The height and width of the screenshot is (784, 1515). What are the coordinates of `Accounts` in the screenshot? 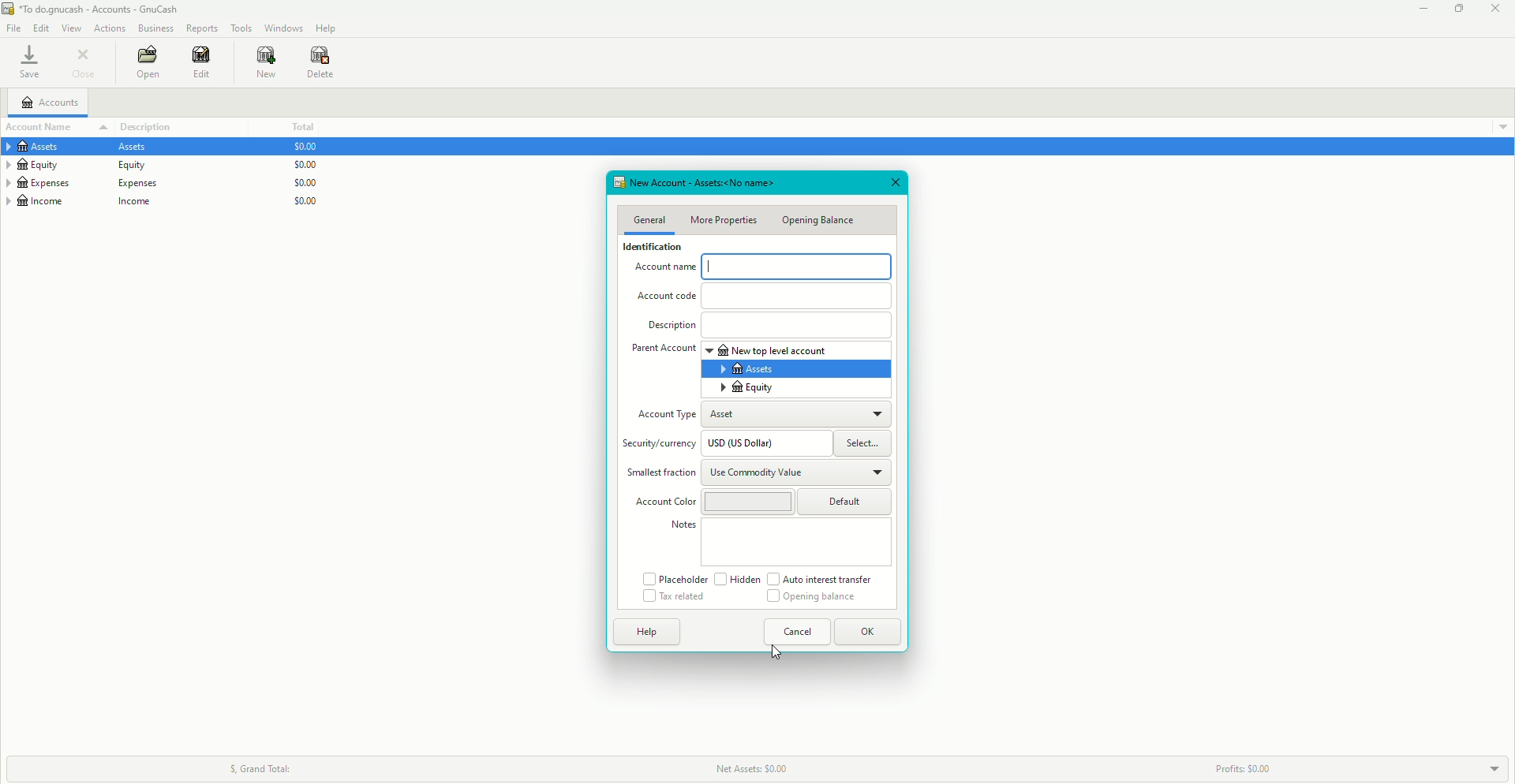 It's located at (54, 104).